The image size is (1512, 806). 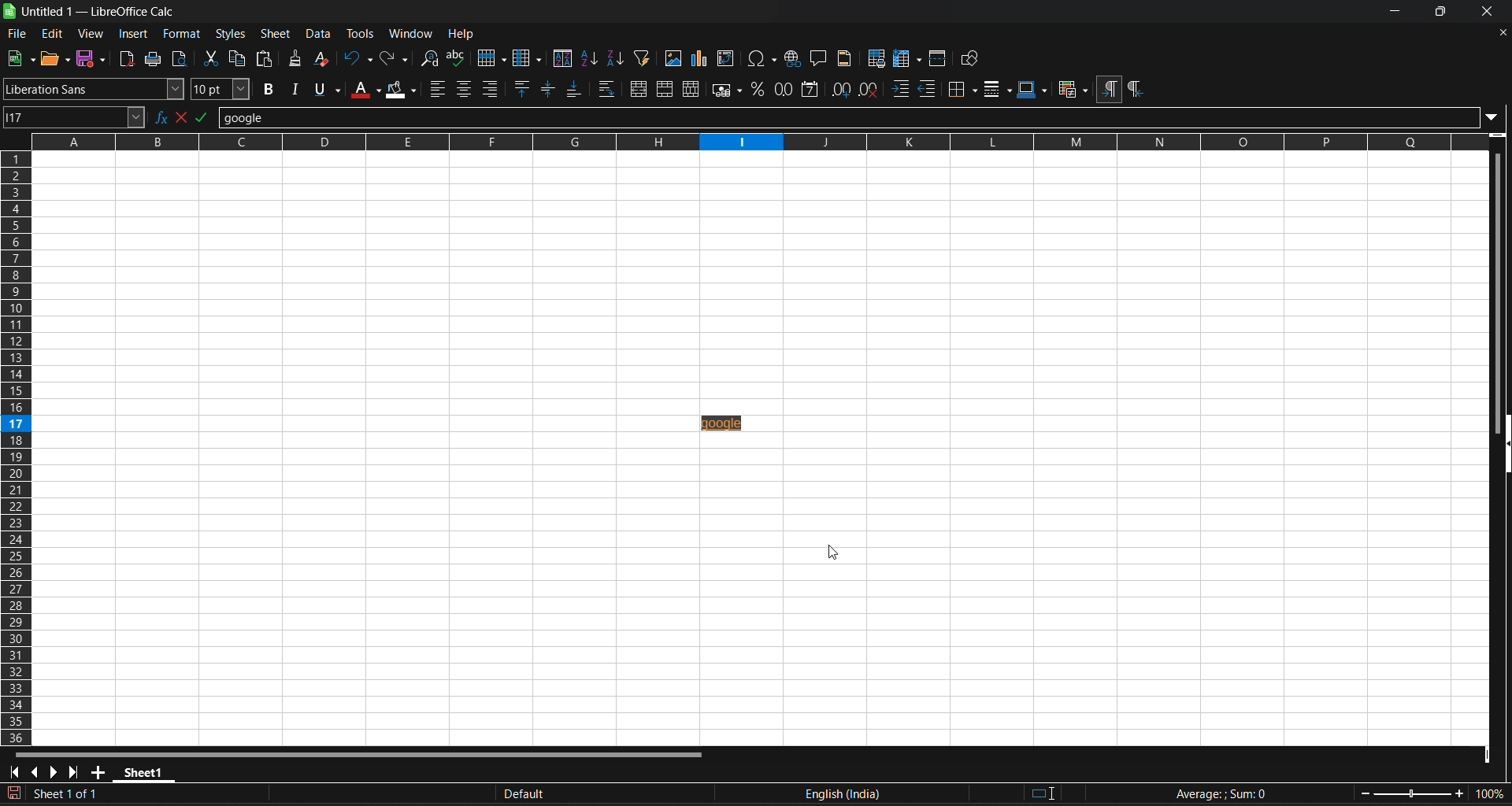 What do you see at coordinates (1045, 794) in the screenshot?
I see `standard selection` at bounding box center [1045, 794].